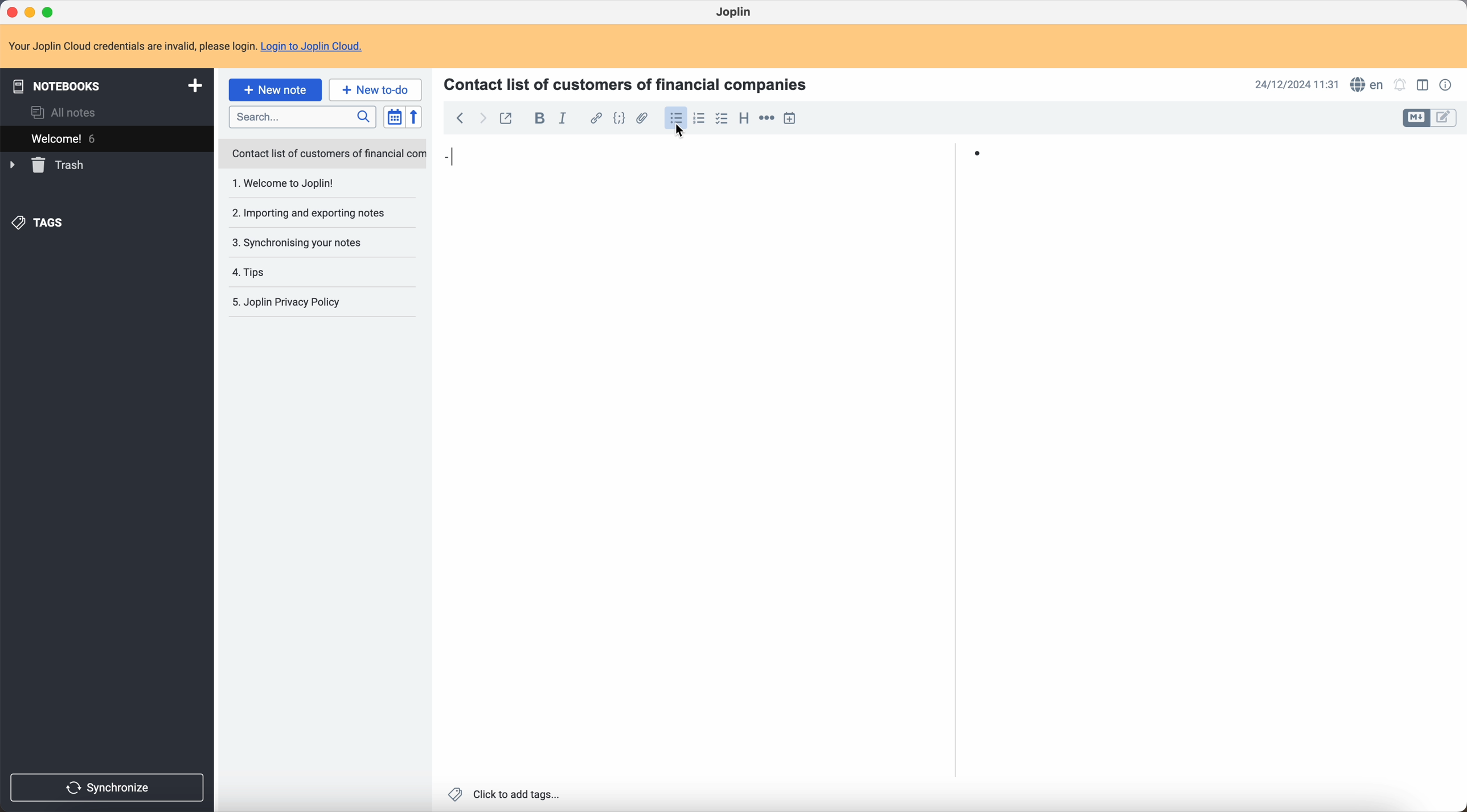  Describe the element at coordinates (48, 165) in the screenshot. I see `trash` at that location.